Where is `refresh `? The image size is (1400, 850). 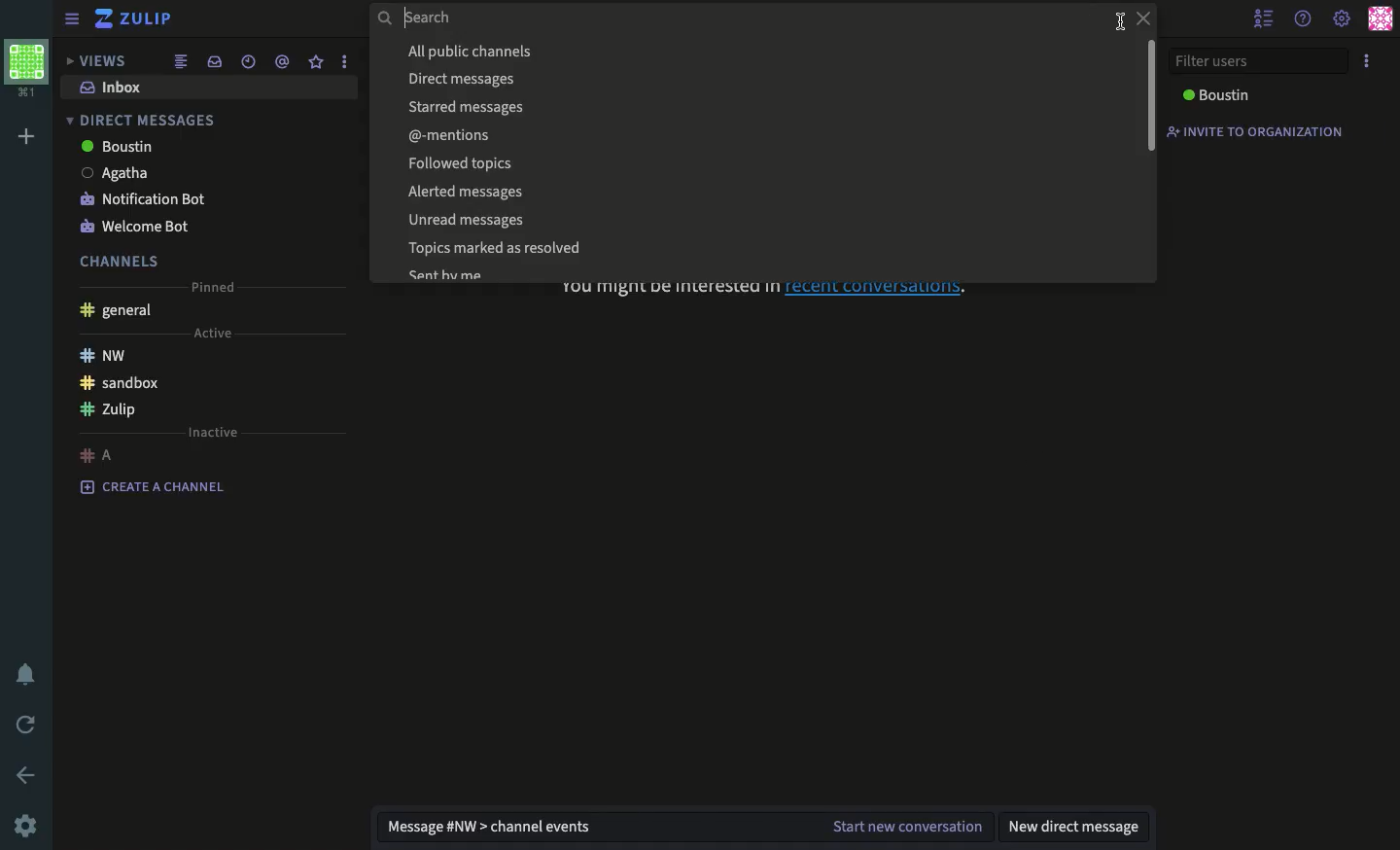
refresh  is located at coordinates (28, 722).